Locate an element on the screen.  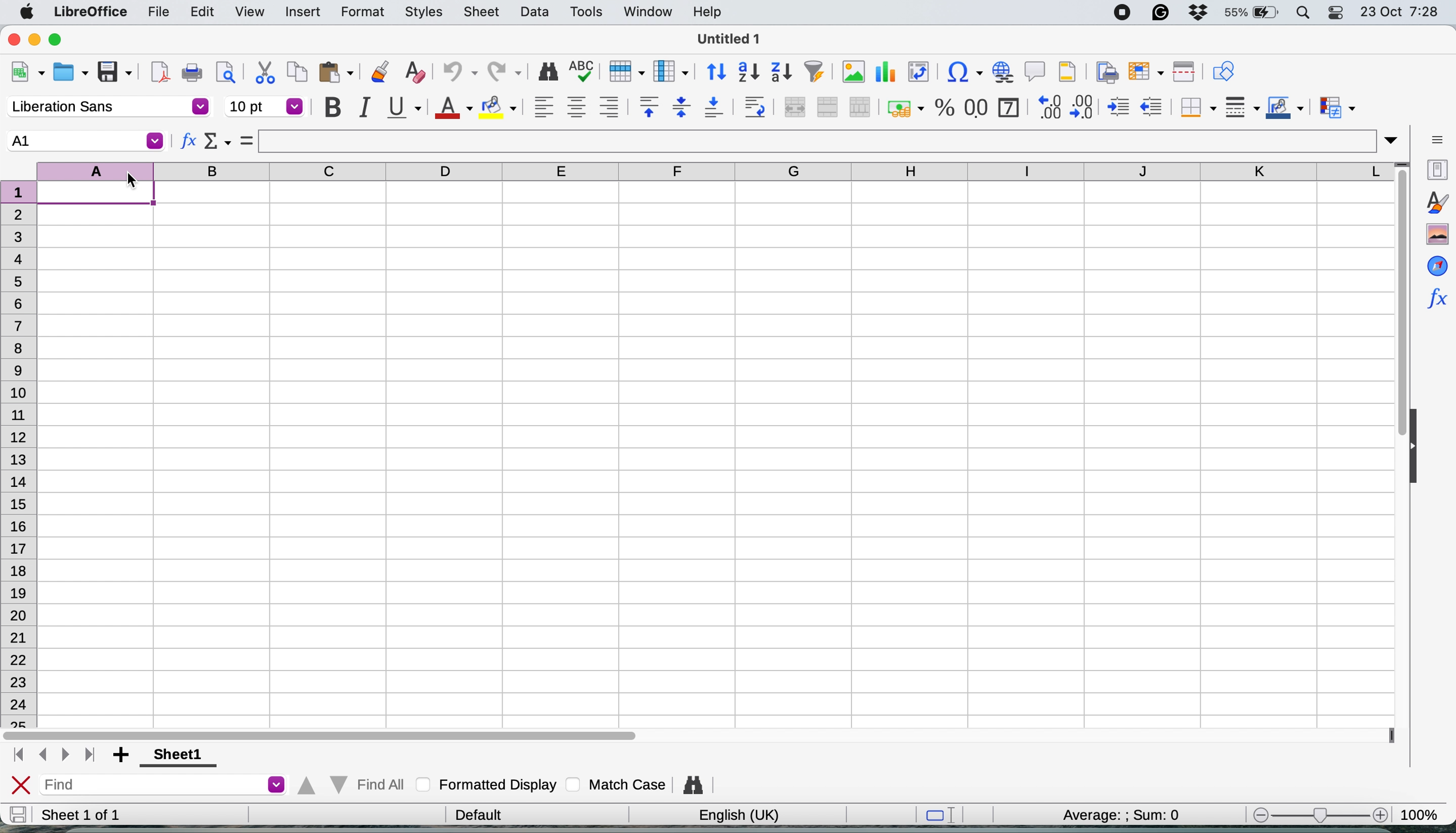
gallery is located at coordinates (1435, 233).